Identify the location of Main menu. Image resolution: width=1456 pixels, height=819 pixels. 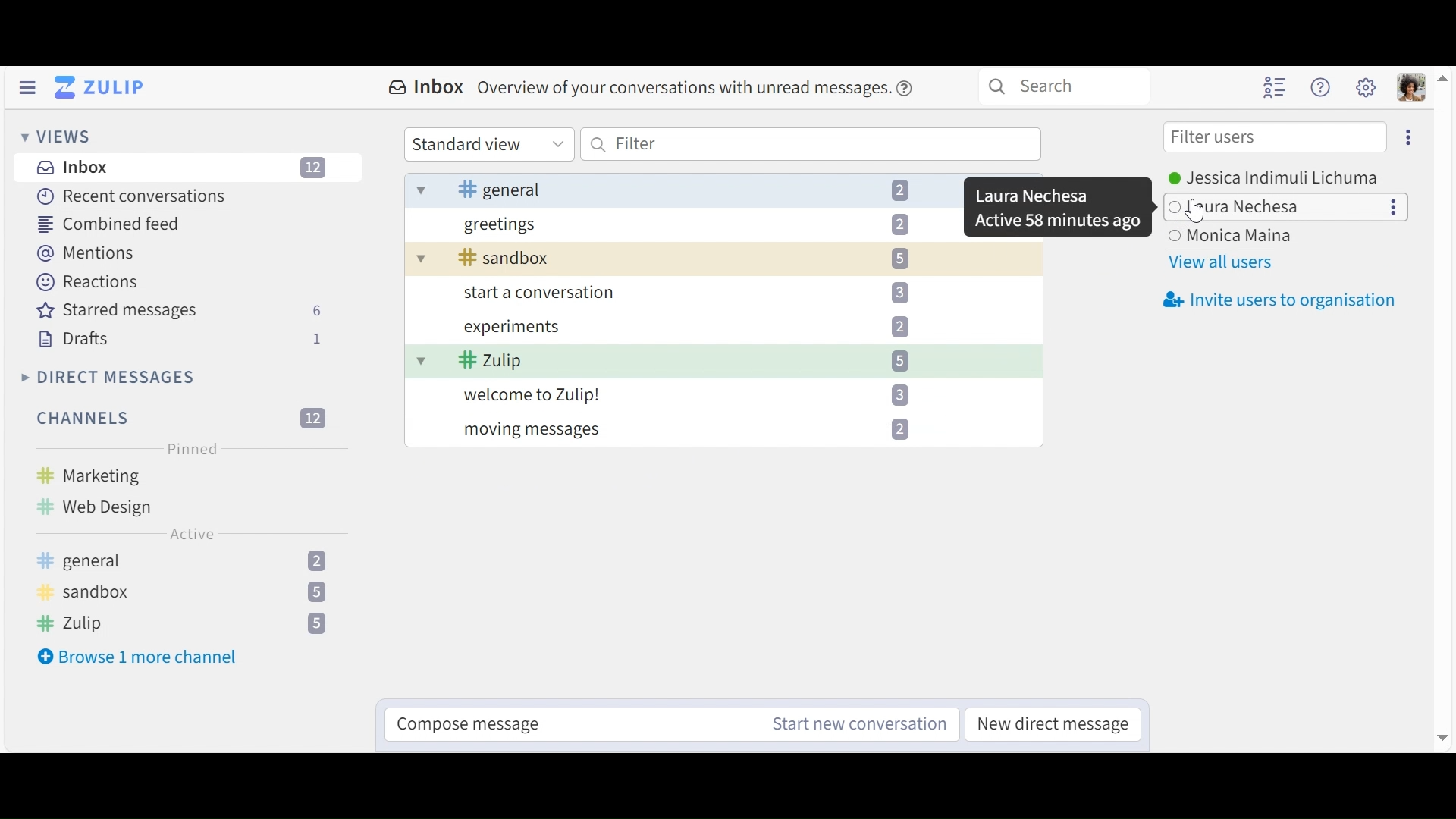
(1367, 86).